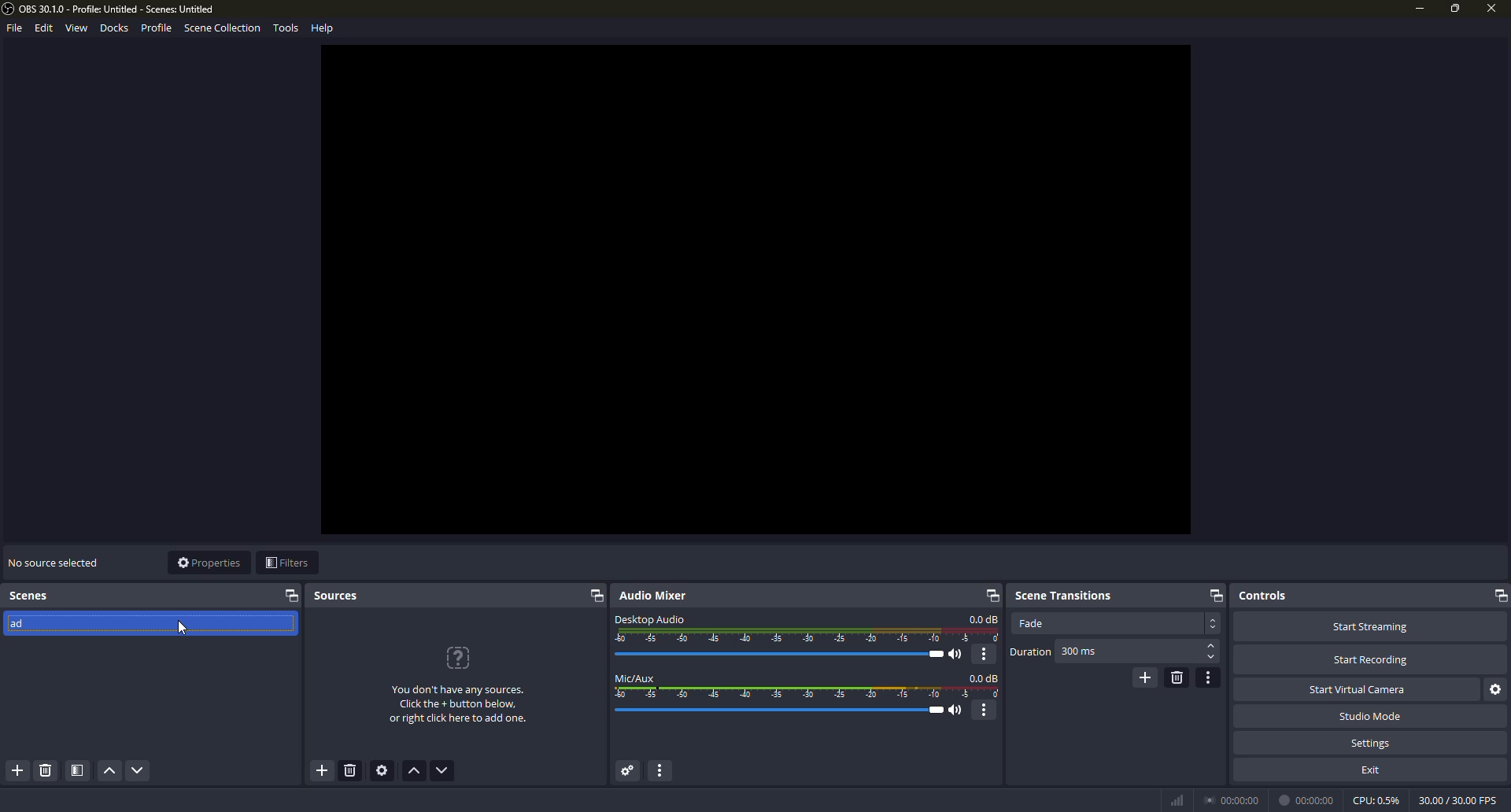  I want to click on properties, so click(209, 563).